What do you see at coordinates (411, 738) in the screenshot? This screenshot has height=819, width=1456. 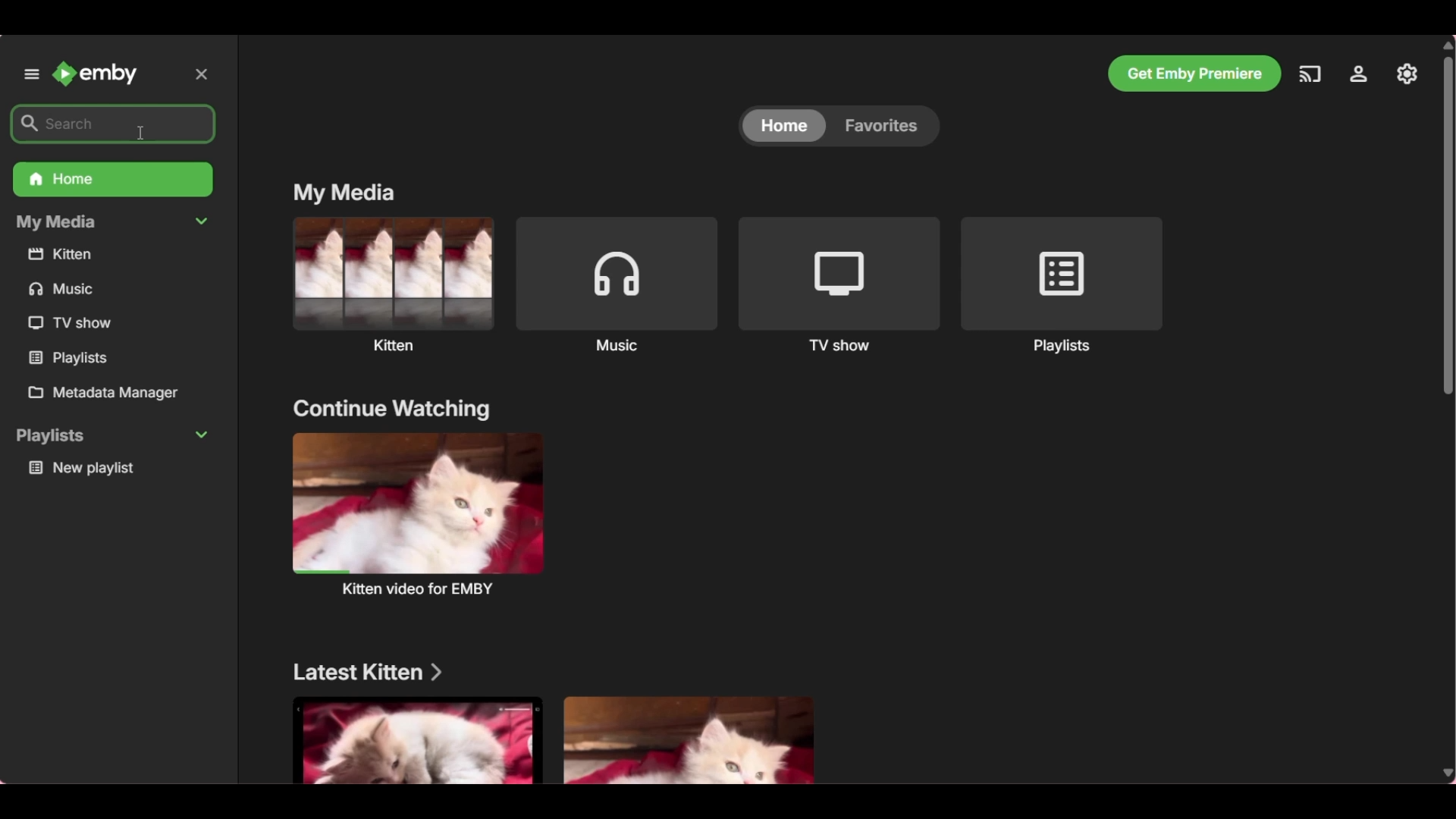 I see `Media files under above mentioned section` at bounding box center [411, 738].